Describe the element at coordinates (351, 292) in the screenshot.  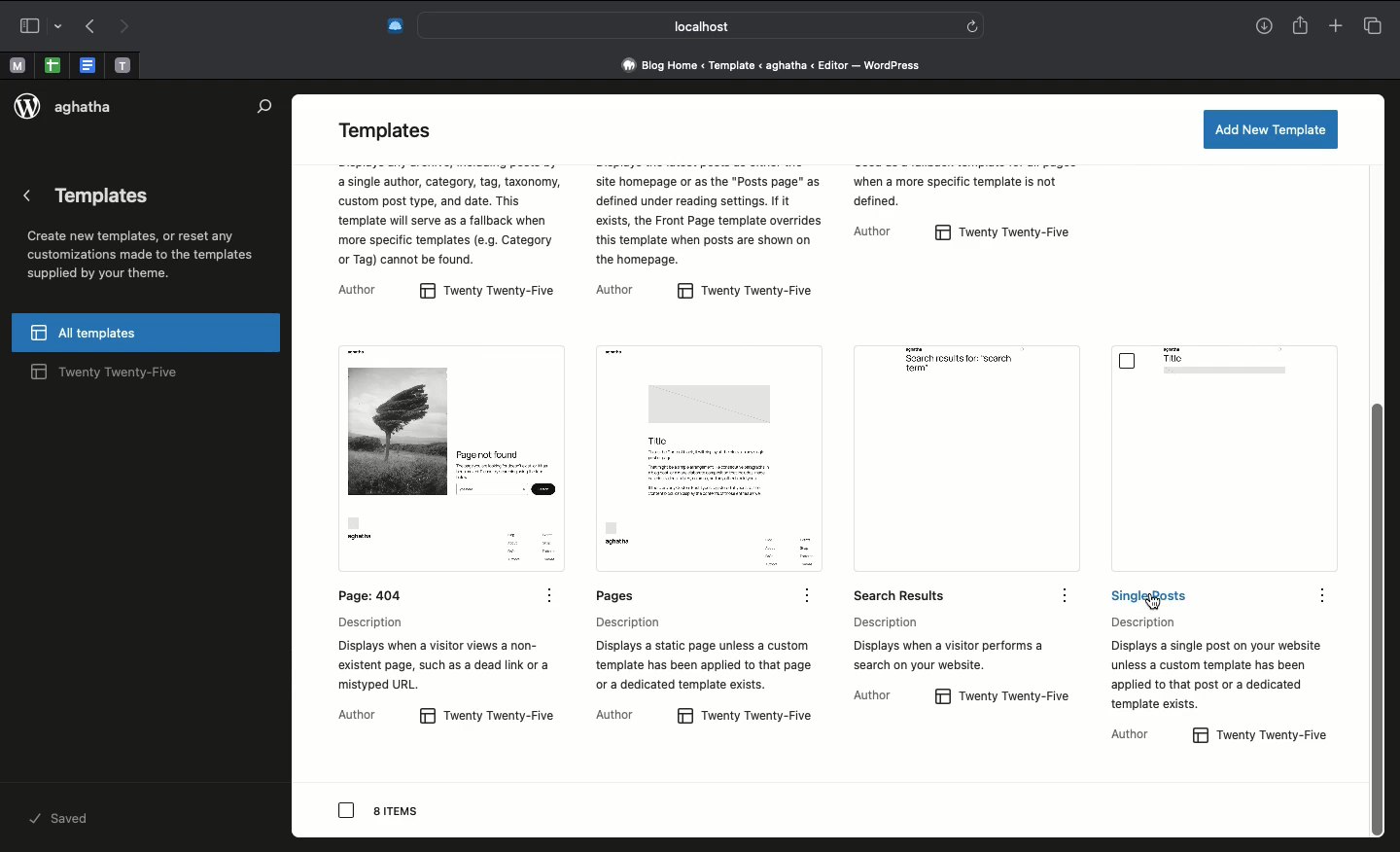
I see `author` at that location.